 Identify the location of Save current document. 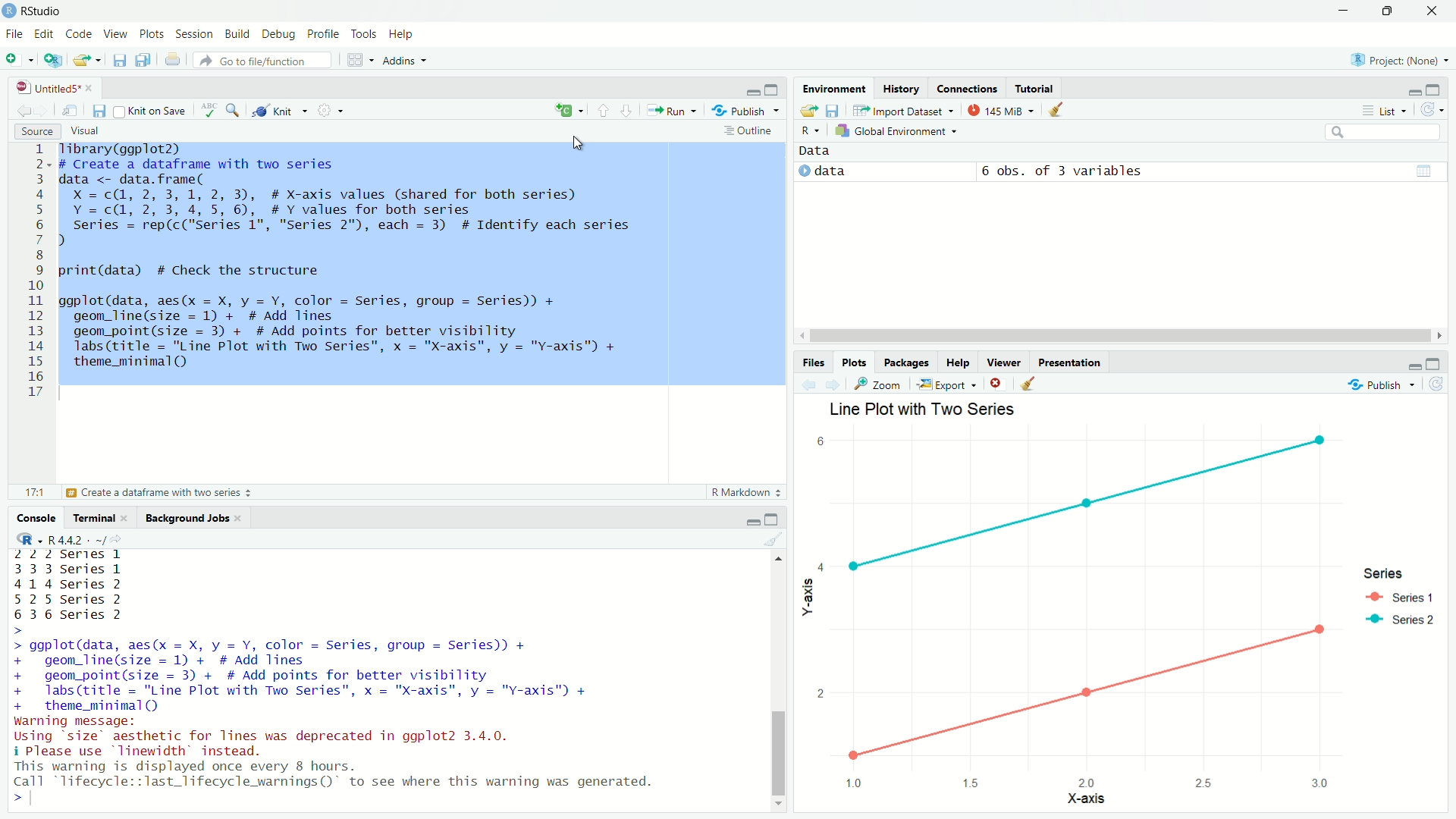
(99, 111).